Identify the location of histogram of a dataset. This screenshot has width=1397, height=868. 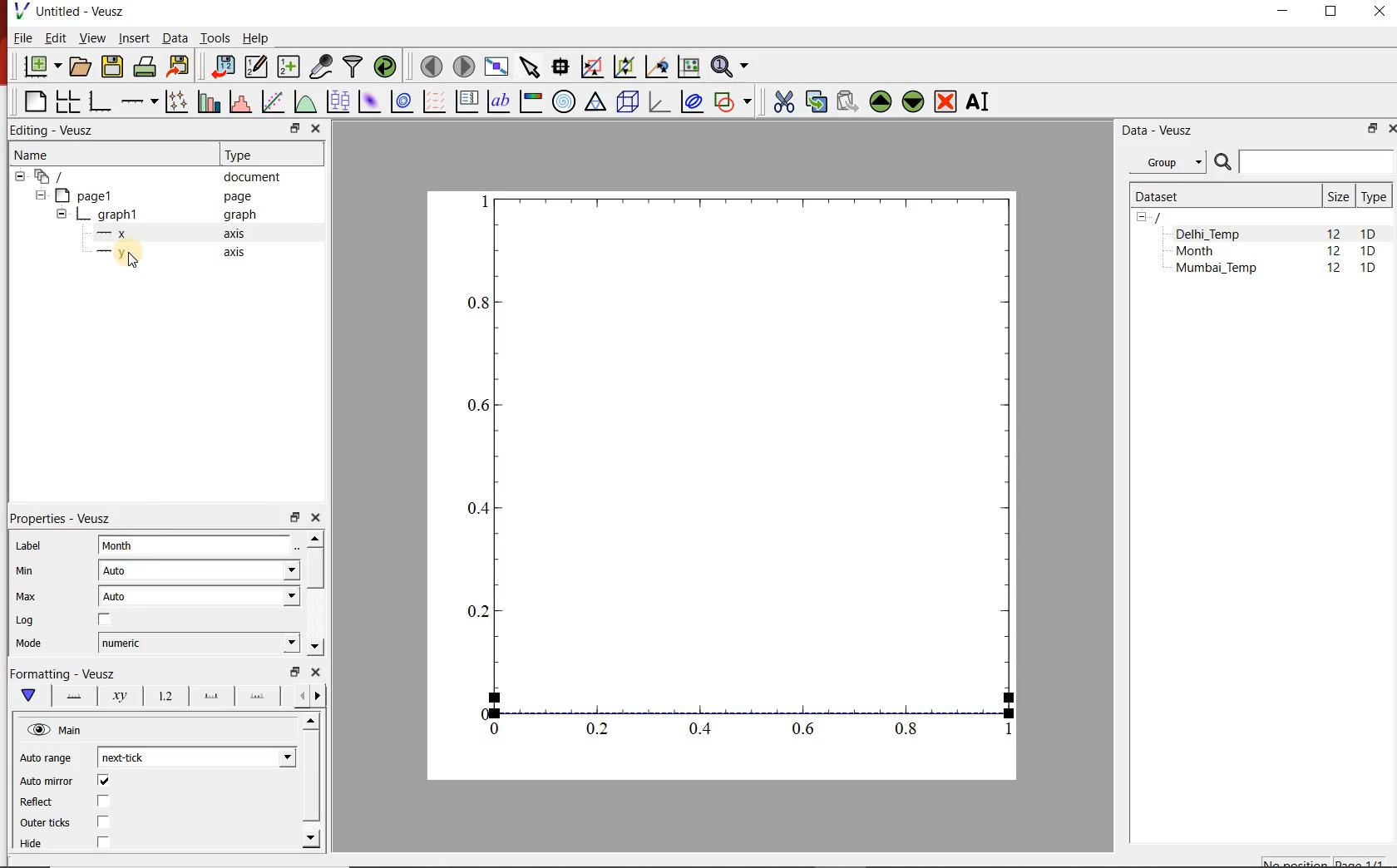
(239, 101).